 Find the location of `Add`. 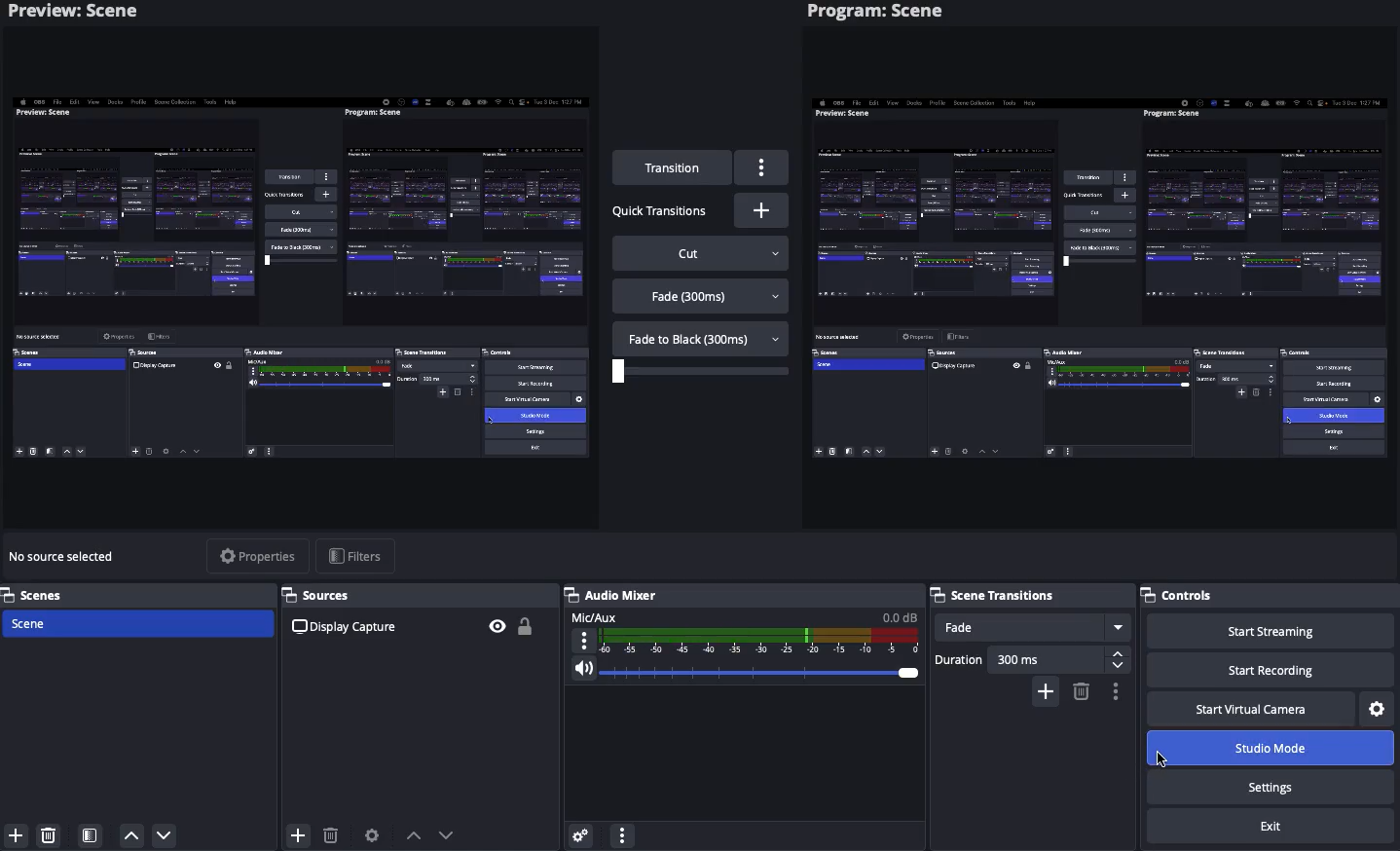

Add is located at coordinates (764, 210).